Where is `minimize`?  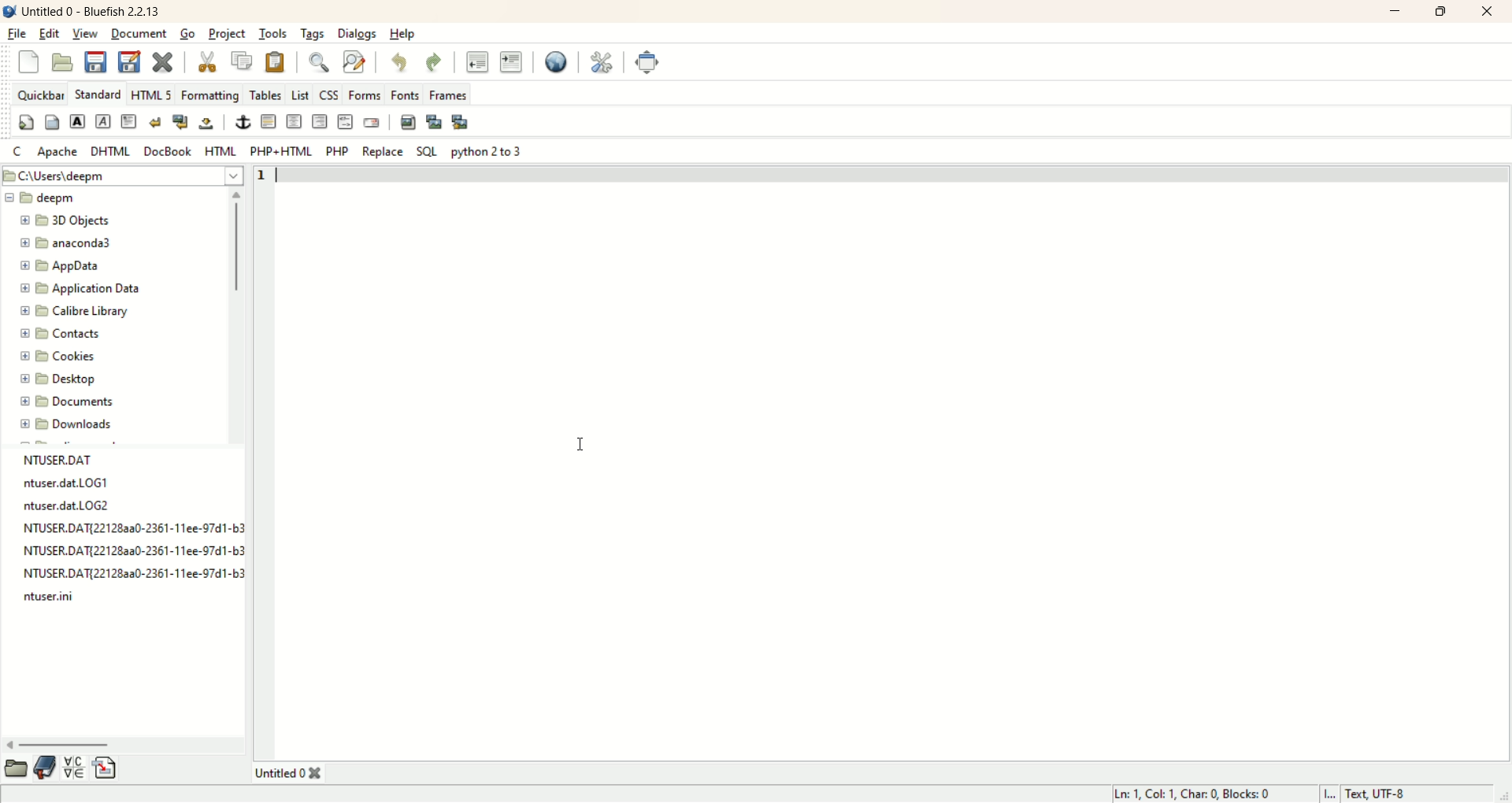
minimize is located at coordinates (1391, 13).